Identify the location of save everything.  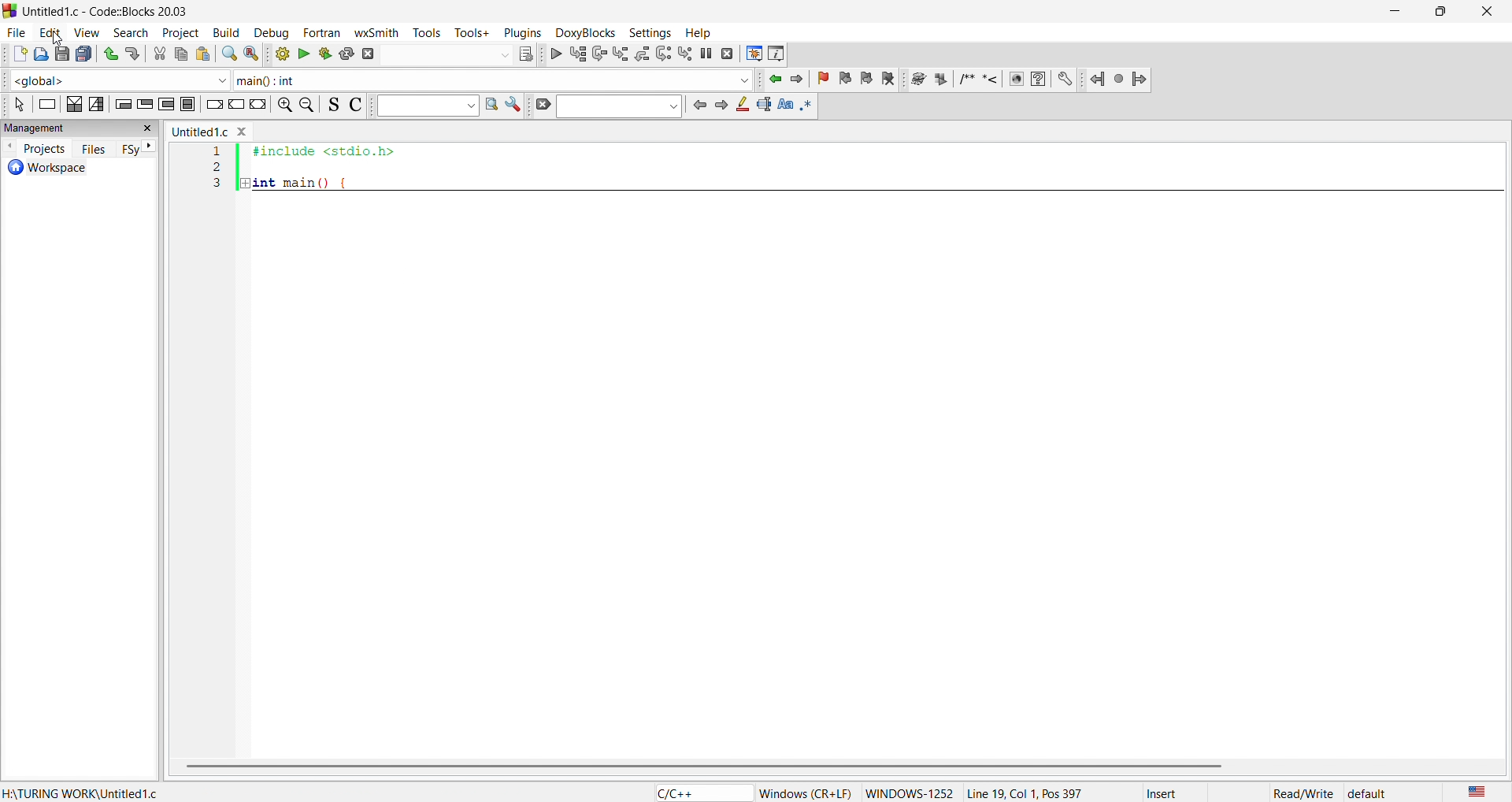
(85, 54).